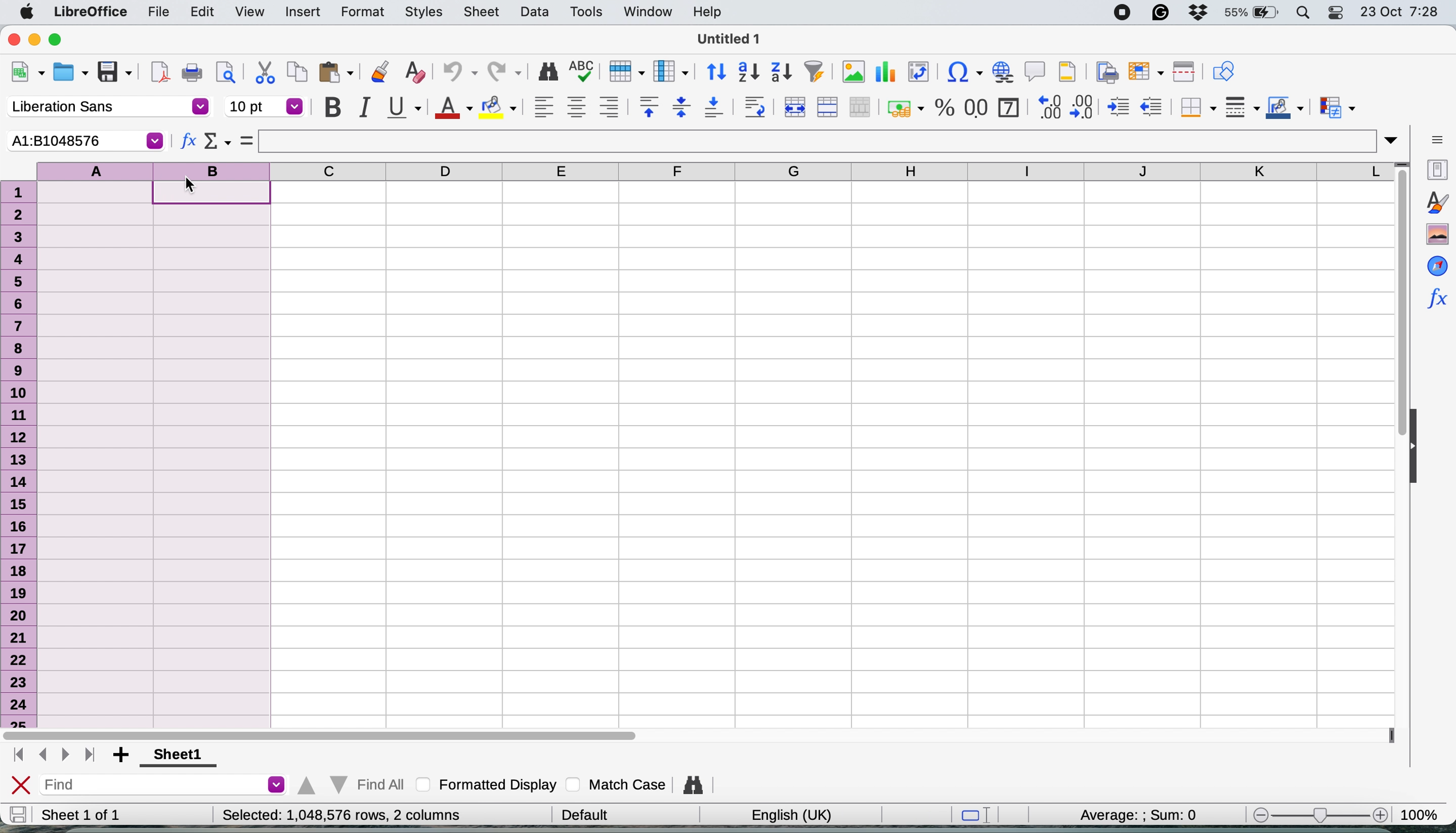 The width and height of the screenshot is (1456, 833). What do you see at coordinates (544, 71) in the screenshot?
I see `find and replace` at bounding box center [544, 71].